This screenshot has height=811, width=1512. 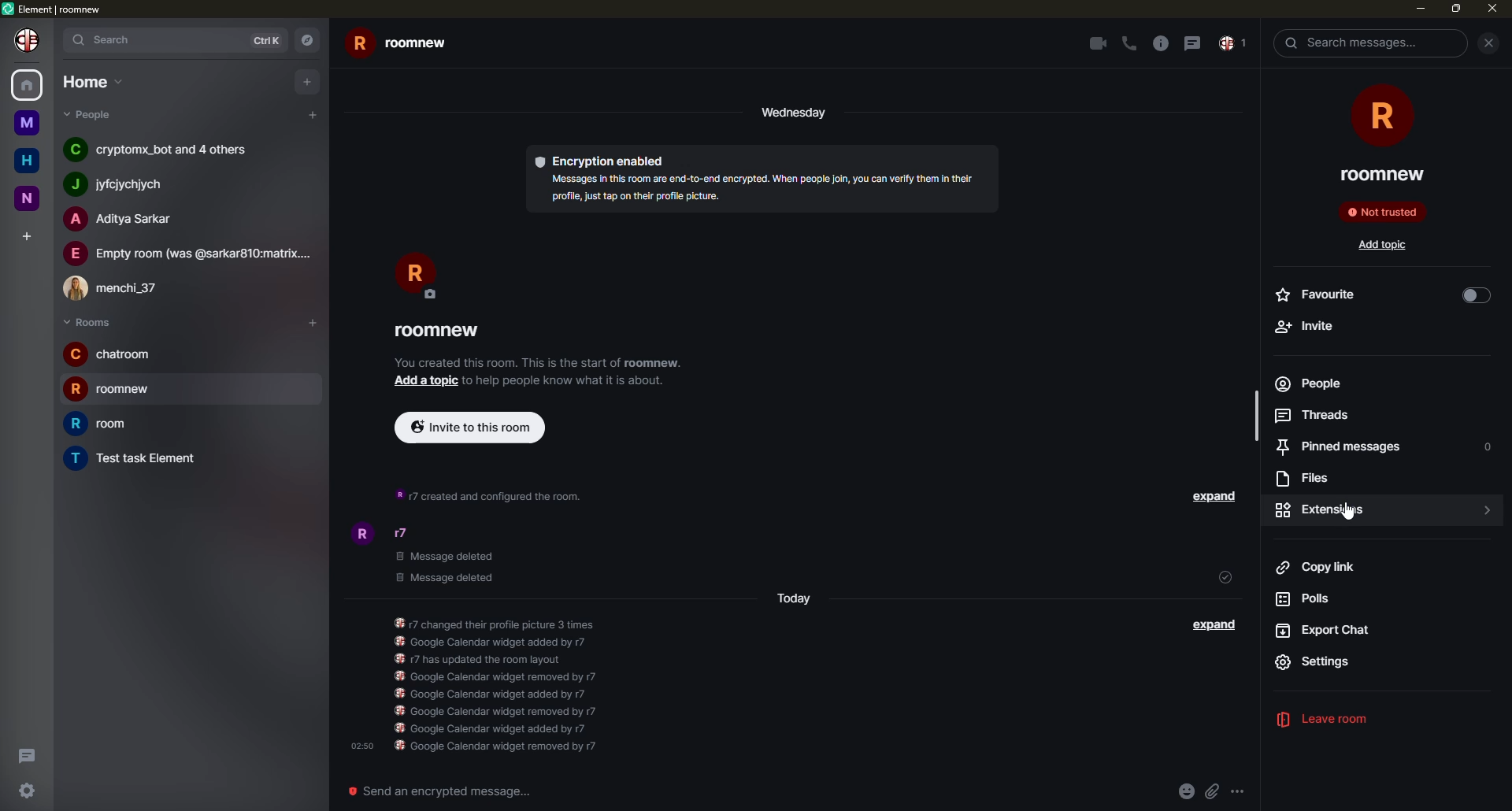 What do you see at coordinates (137, 457) in the screenshot?
I see `room` at bounding box center [137, 457].